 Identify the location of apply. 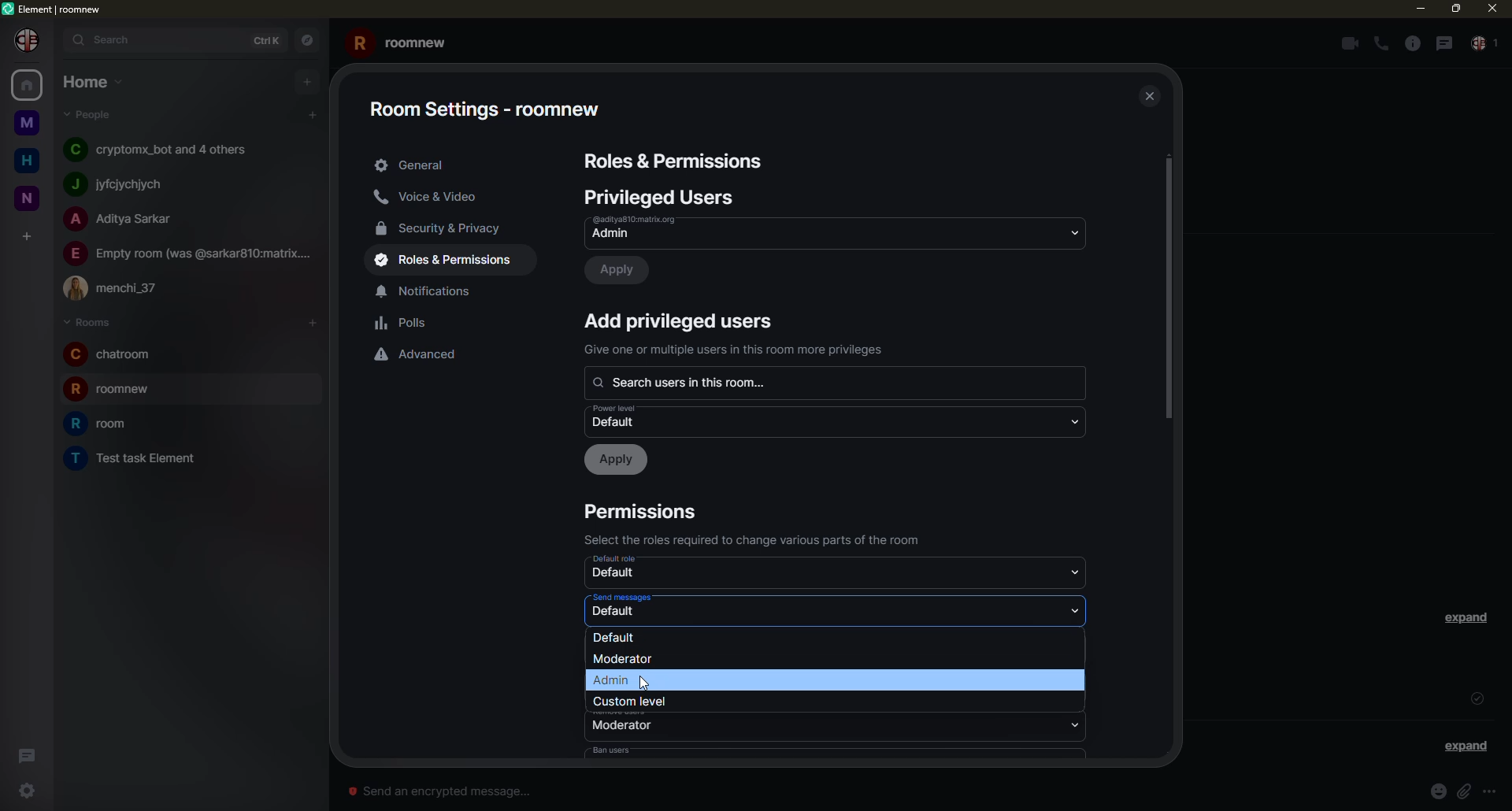
(618, 460).